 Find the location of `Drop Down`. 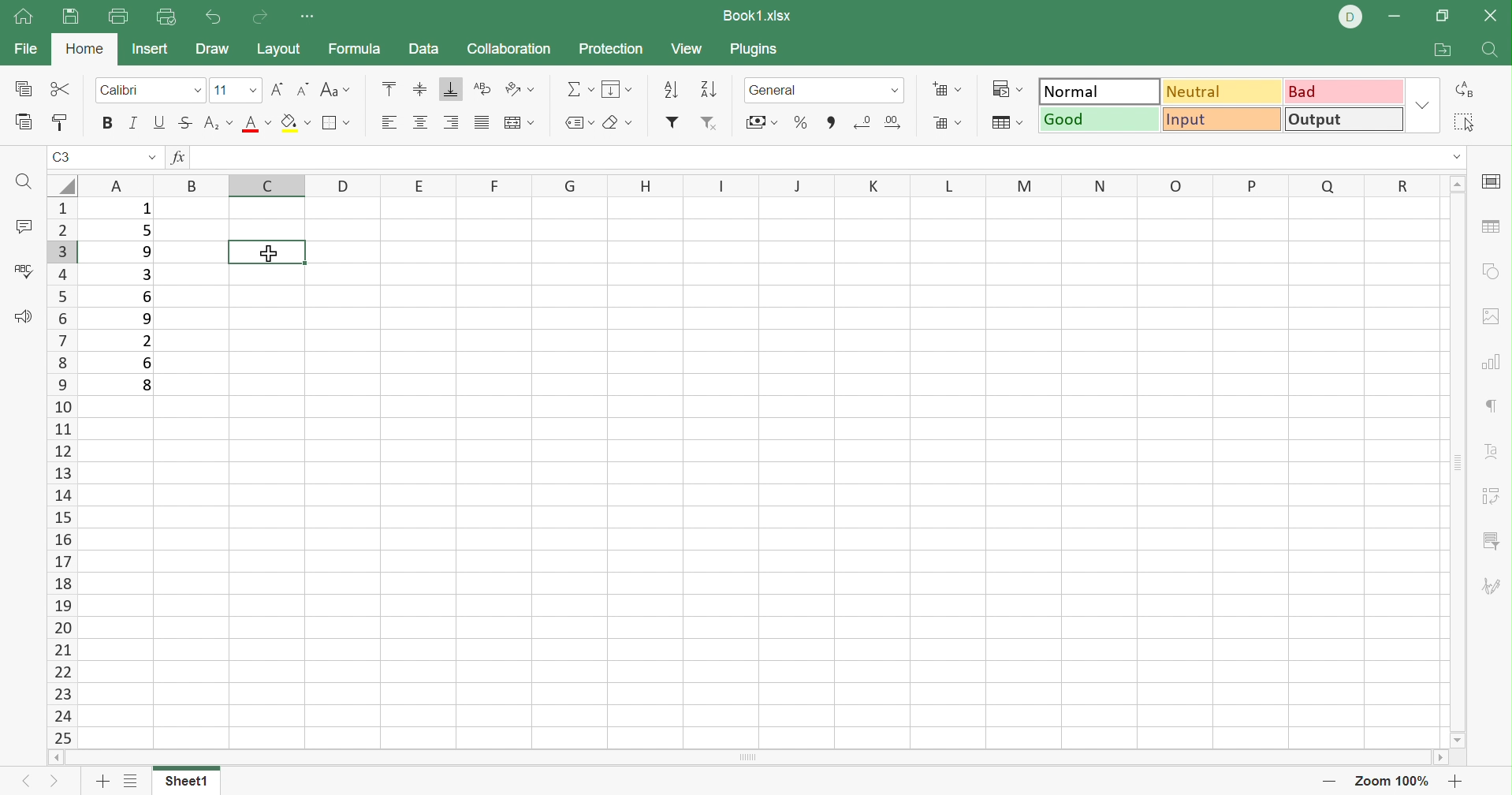

Drop Down is located at coordinates (196, 91).